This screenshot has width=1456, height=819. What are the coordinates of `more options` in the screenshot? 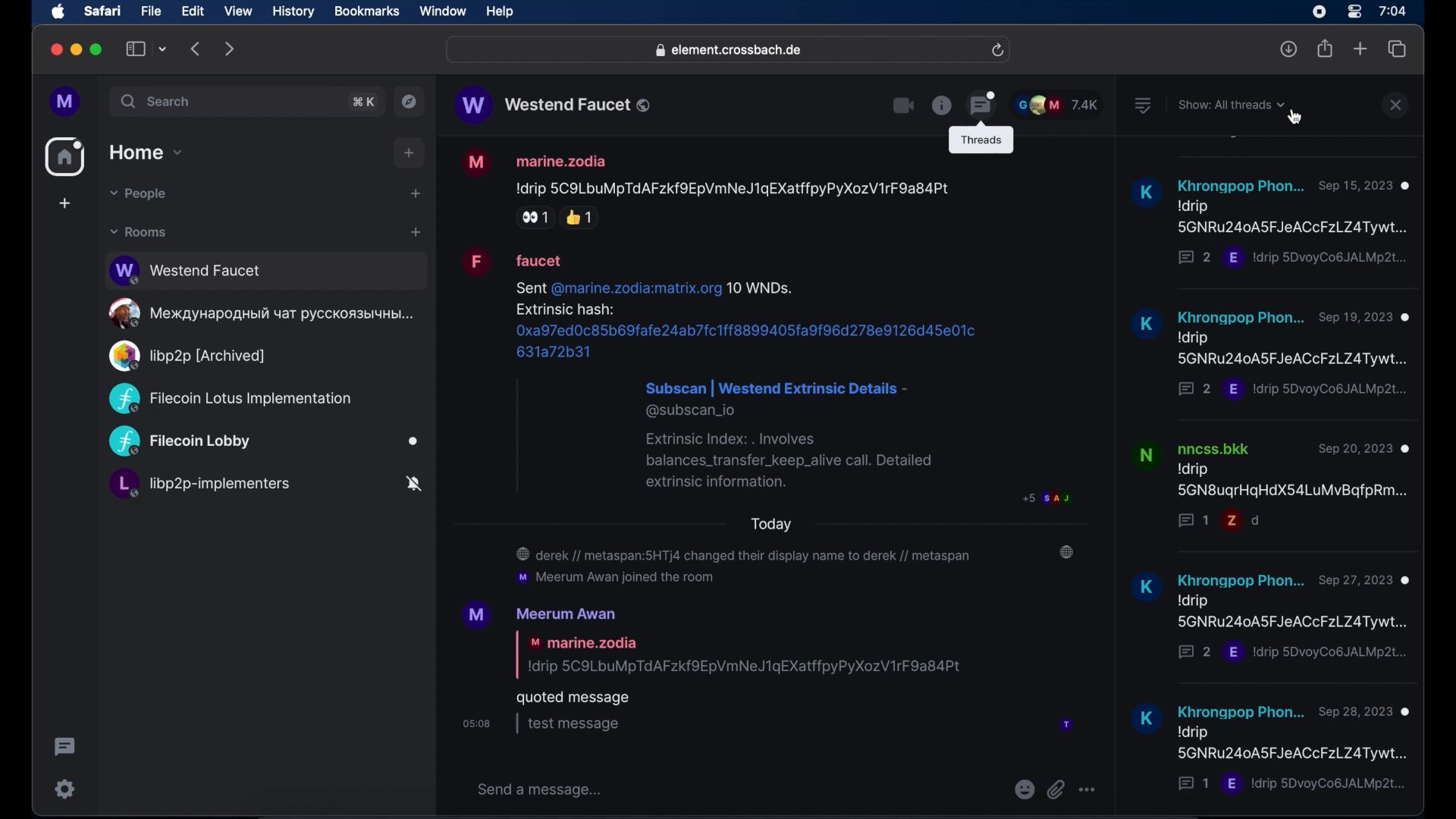 It's located at (1097, 786).